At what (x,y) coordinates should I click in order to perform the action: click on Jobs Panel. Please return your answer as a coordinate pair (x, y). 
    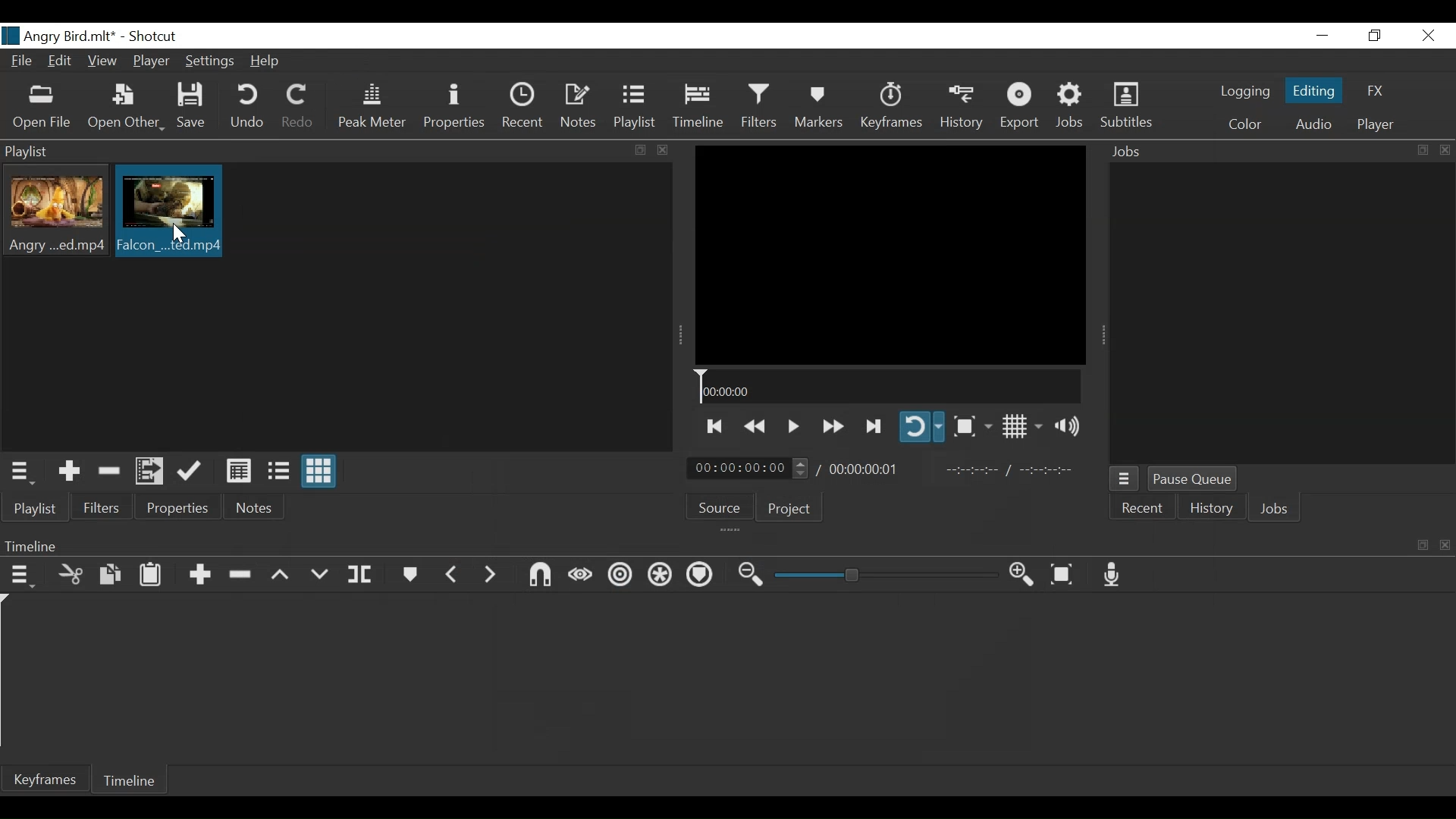
    Looking at the image, I should click on (1280, 314).